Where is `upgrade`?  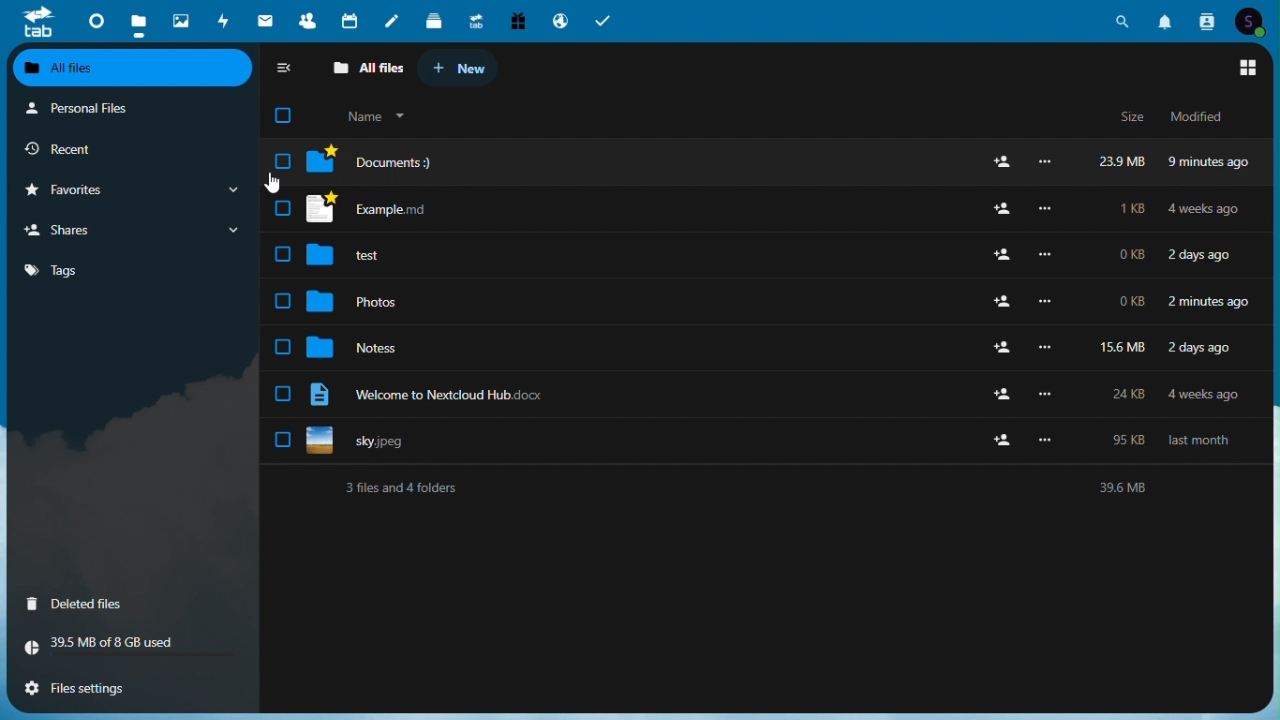
upgrade is located at coordinates (474, 19).